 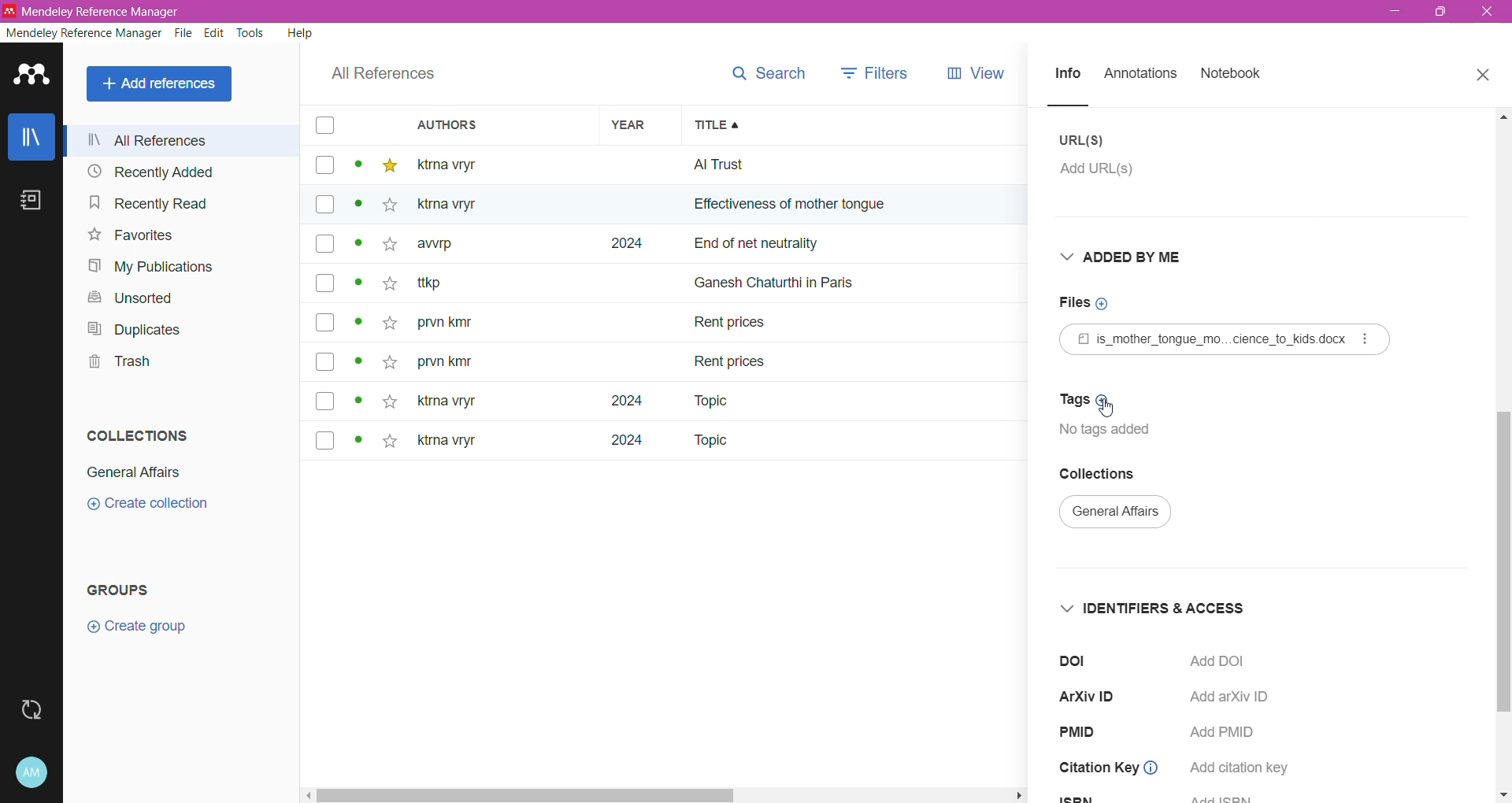 I want to click on box, so click(x=324, y=166).